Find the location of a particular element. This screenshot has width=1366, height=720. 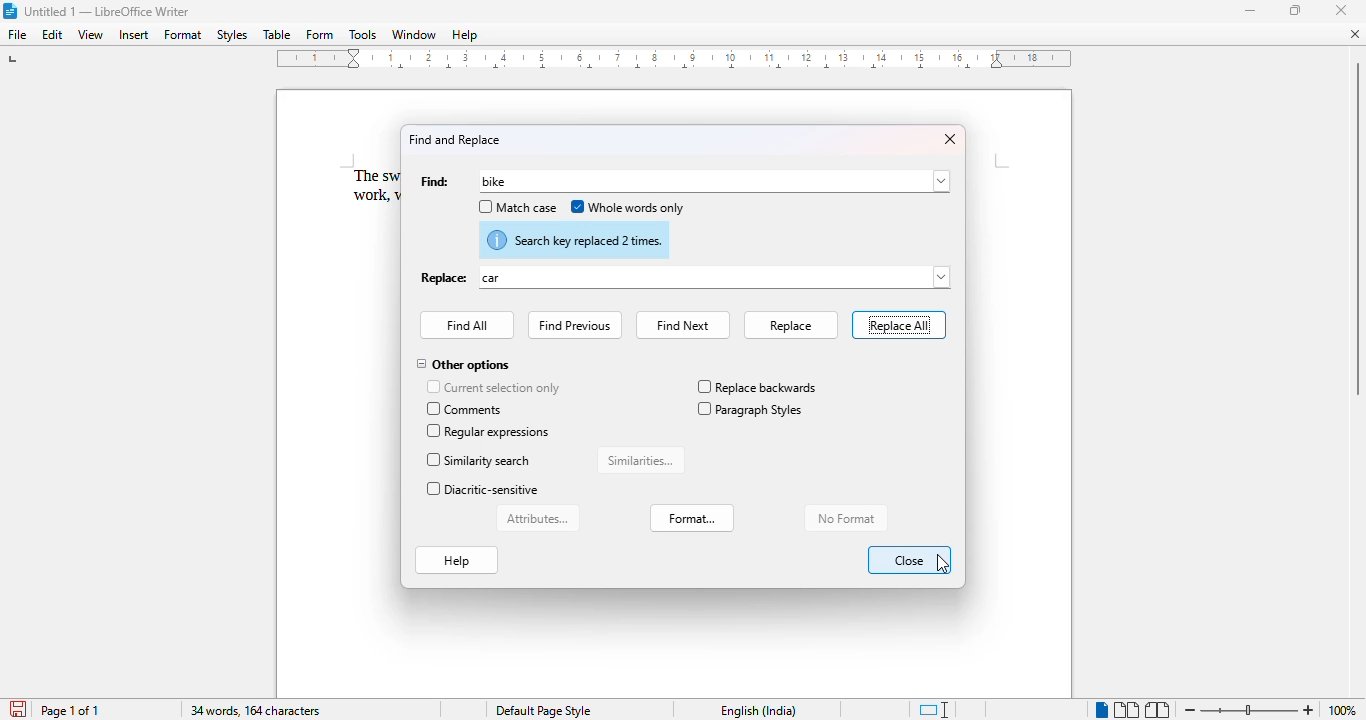

replace backwards is located at coordinates (756, 387).